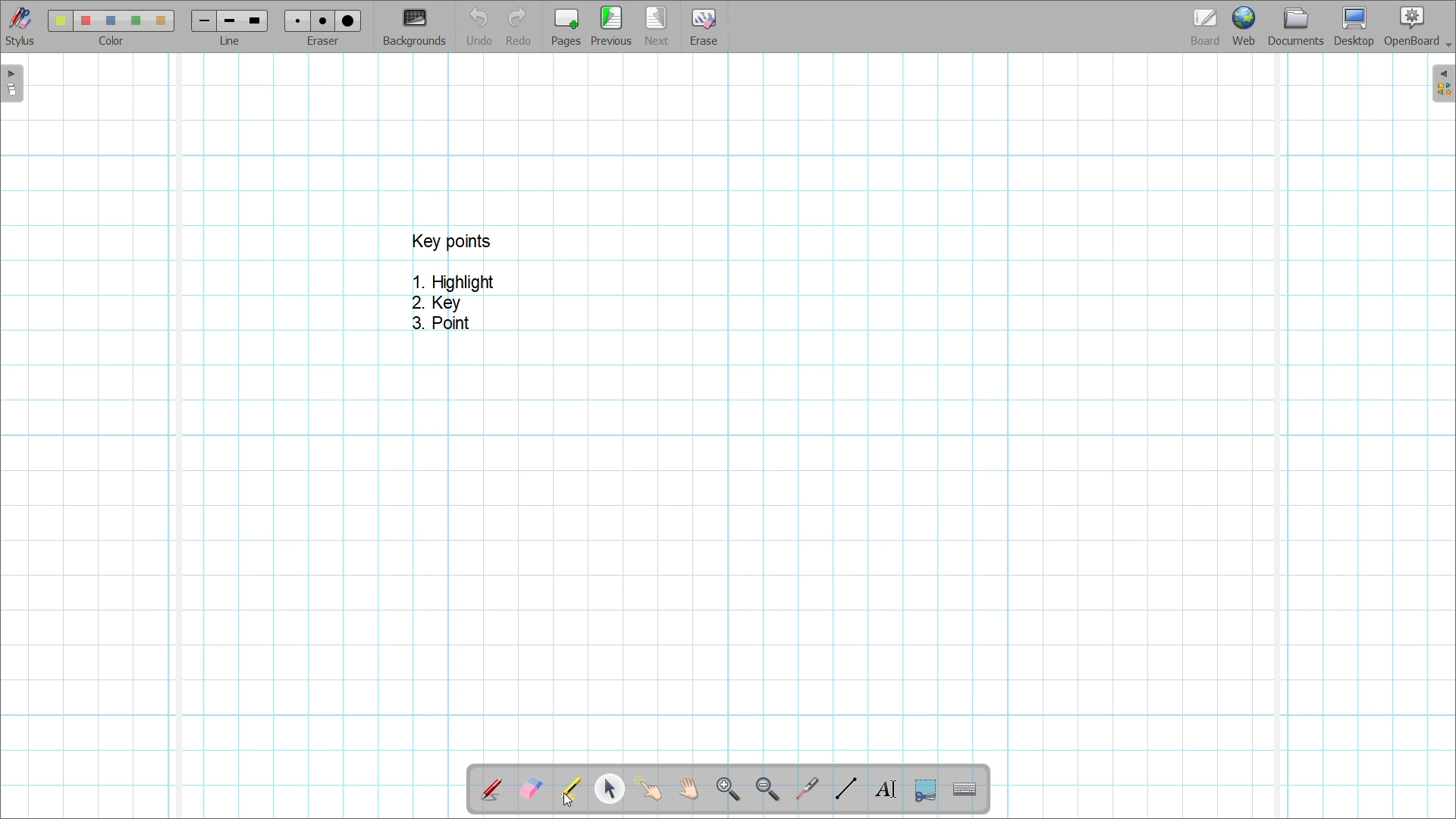  I want to click on color 2, so click(85, 21).